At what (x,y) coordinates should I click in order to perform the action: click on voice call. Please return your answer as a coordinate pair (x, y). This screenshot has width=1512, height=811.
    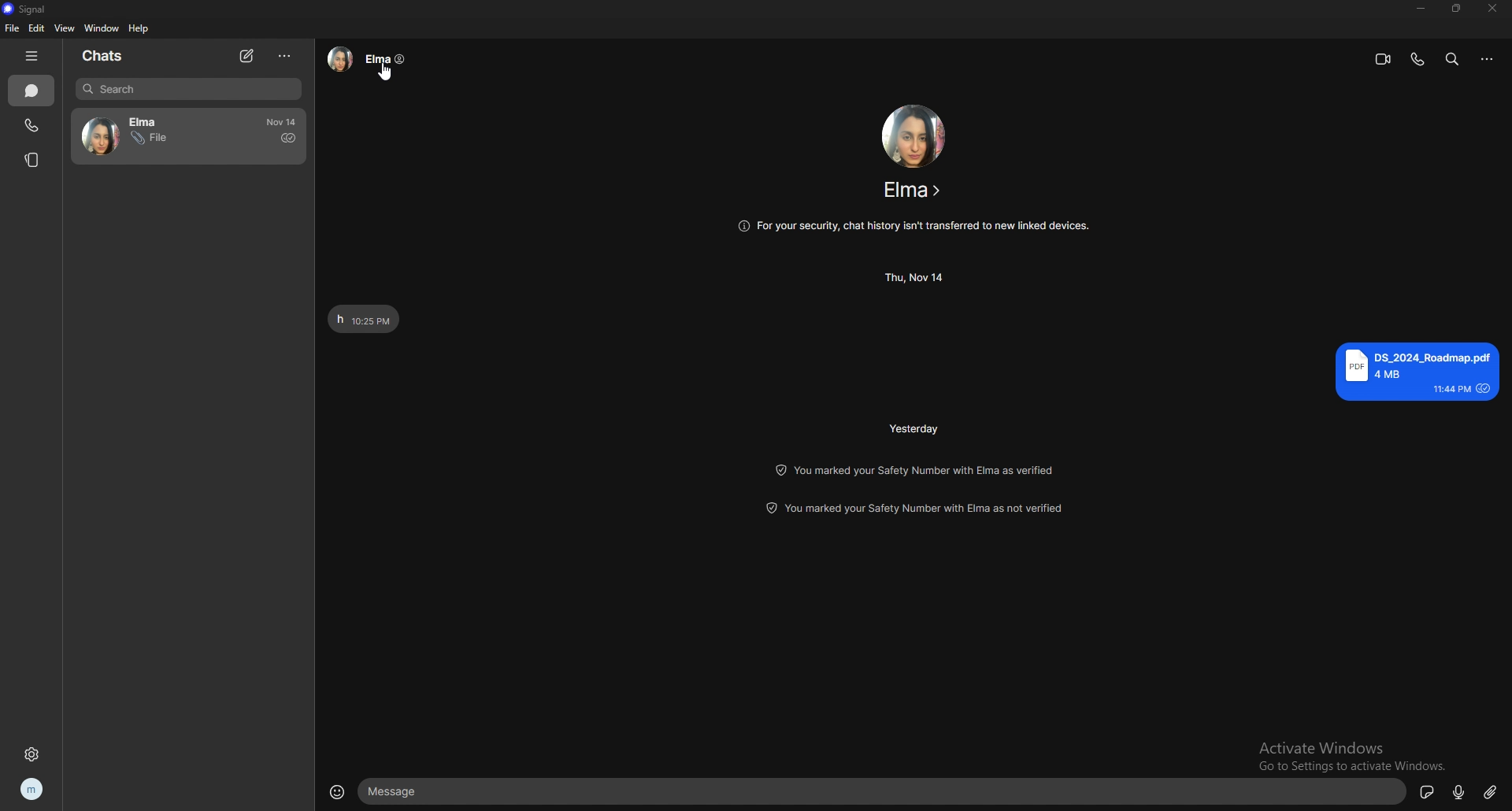
    Looking at the image, I should click on (1417, 58).